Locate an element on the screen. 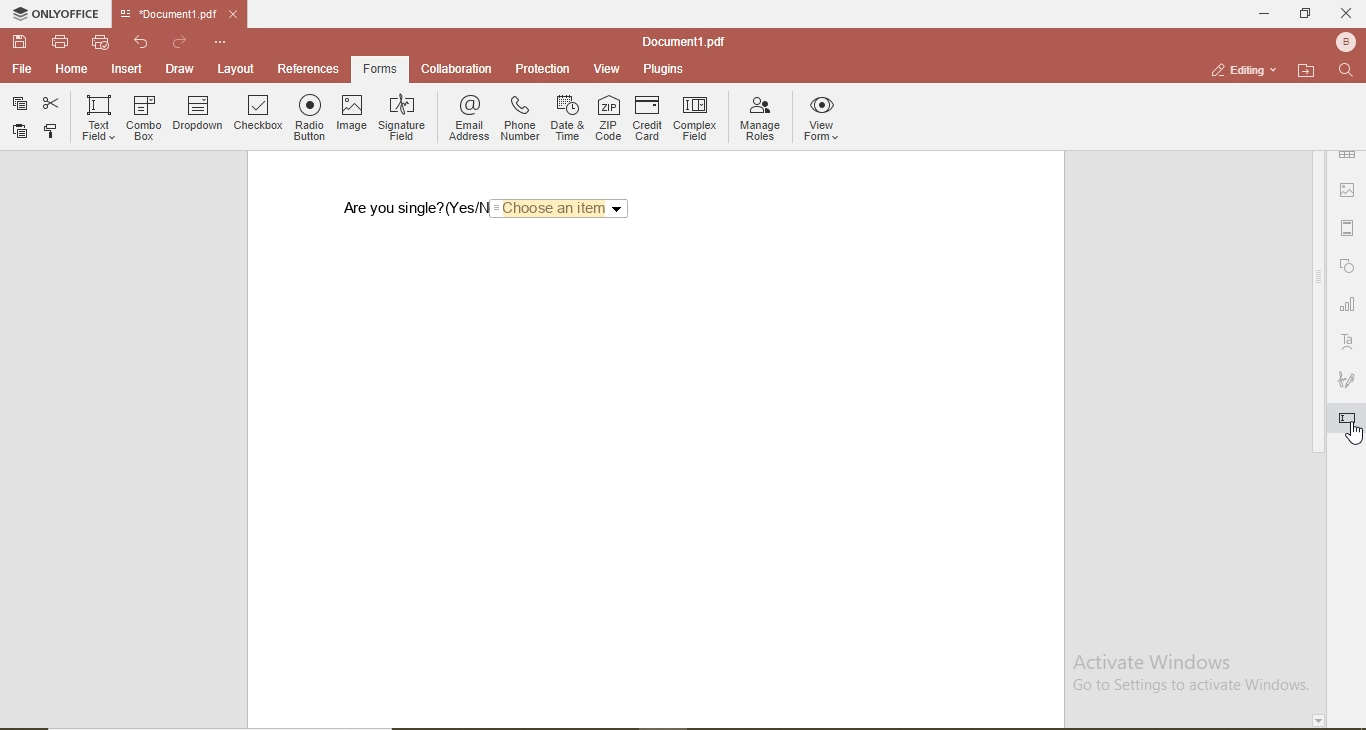 The height and width of the screenshot is (730, 1366). chart is located at coordinates (1348, 304).